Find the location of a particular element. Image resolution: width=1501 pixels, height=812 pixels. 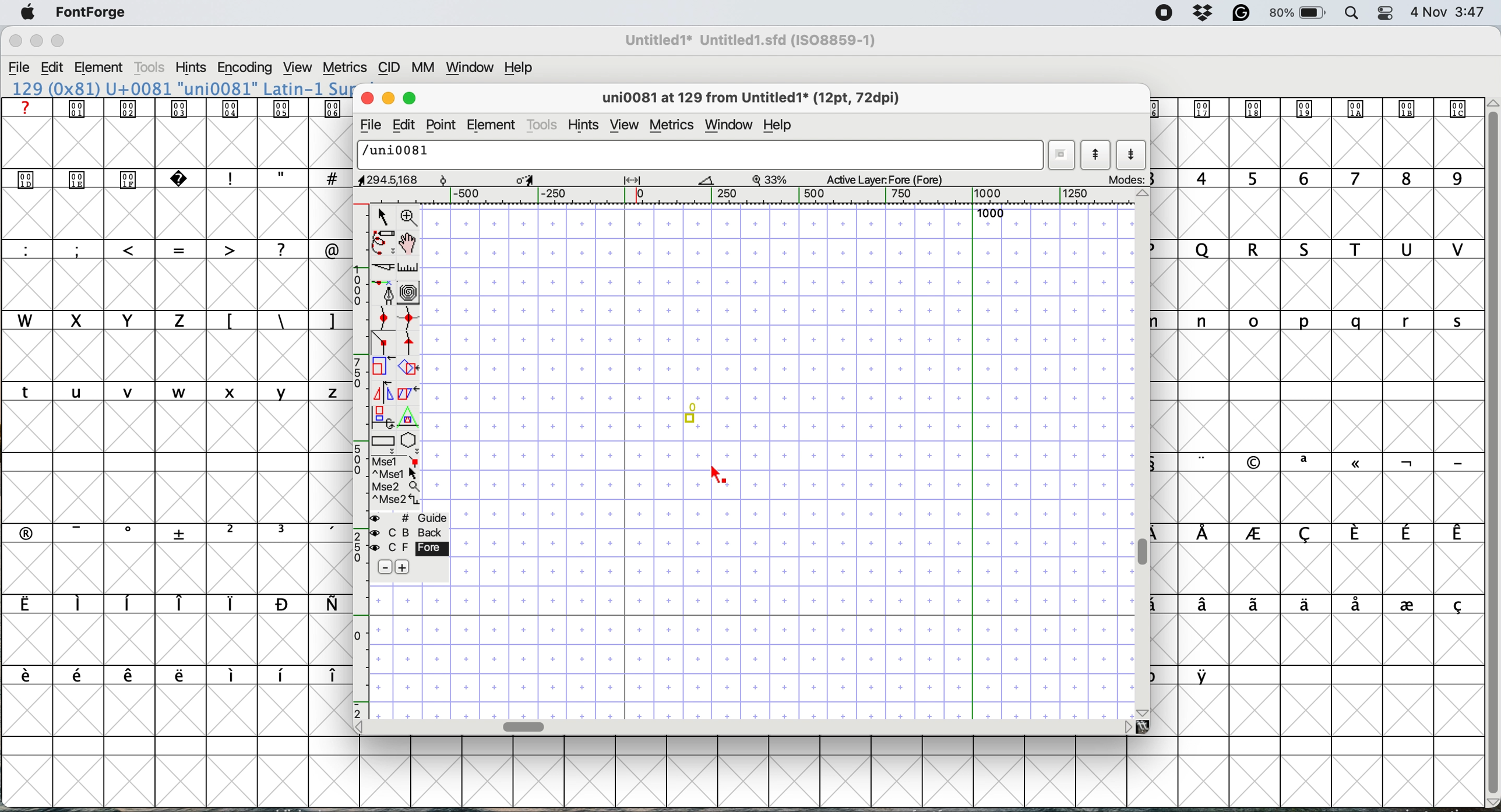

cursor position is located at coordinates (380, 179).